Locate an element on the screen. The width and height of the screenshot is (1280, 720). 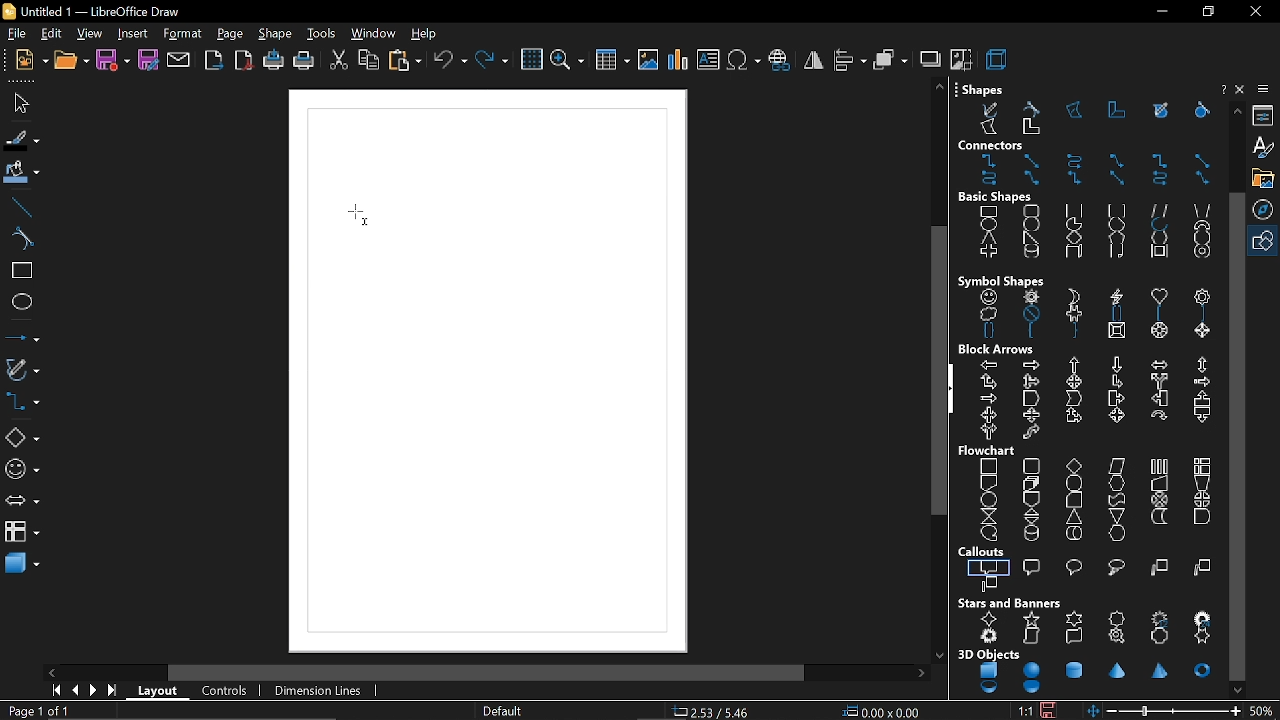
punched tape is located at coordinates (1115, 499).